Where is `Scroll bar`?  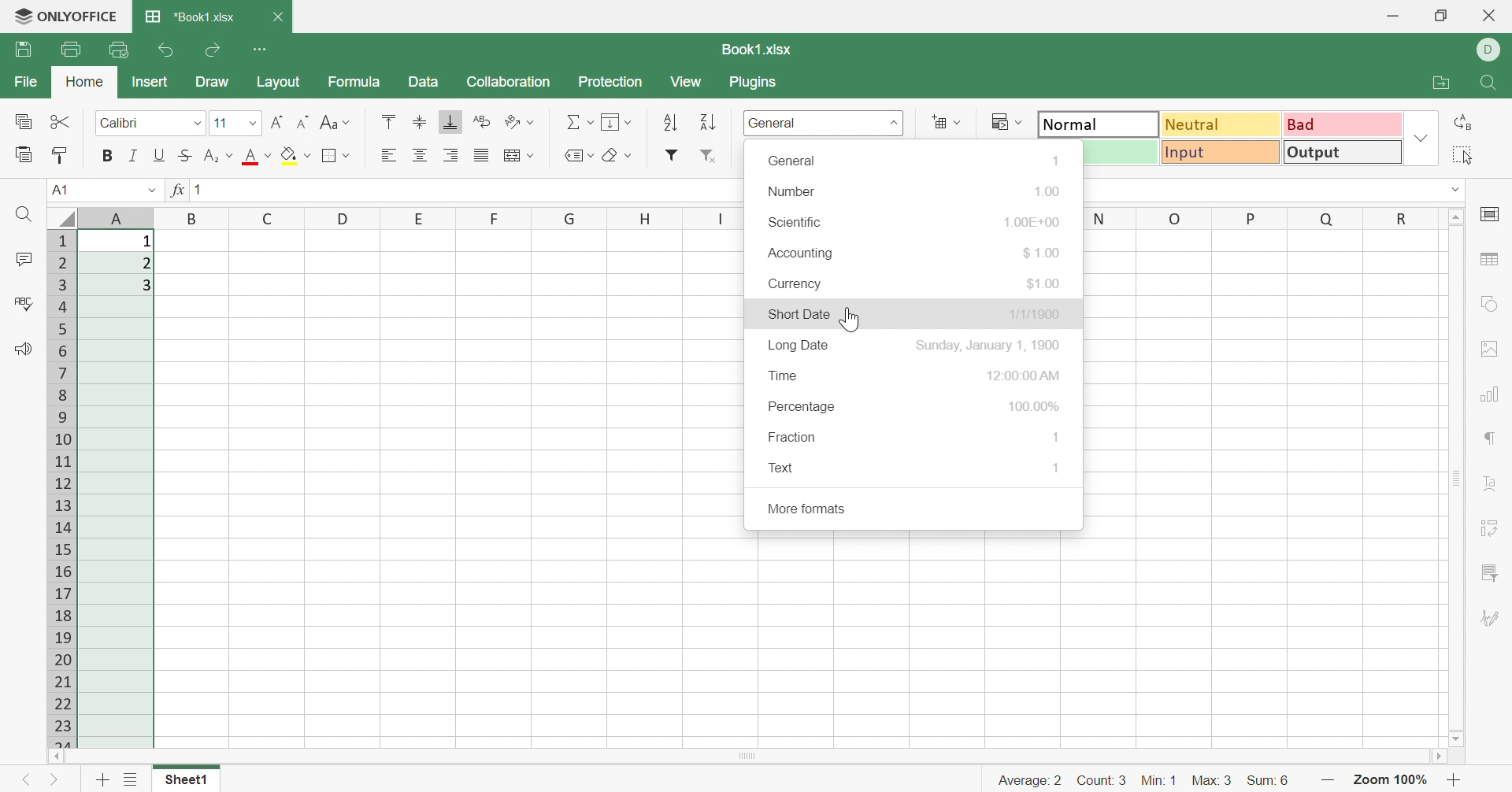 Scroll bar is located at coordinates (742, 757).